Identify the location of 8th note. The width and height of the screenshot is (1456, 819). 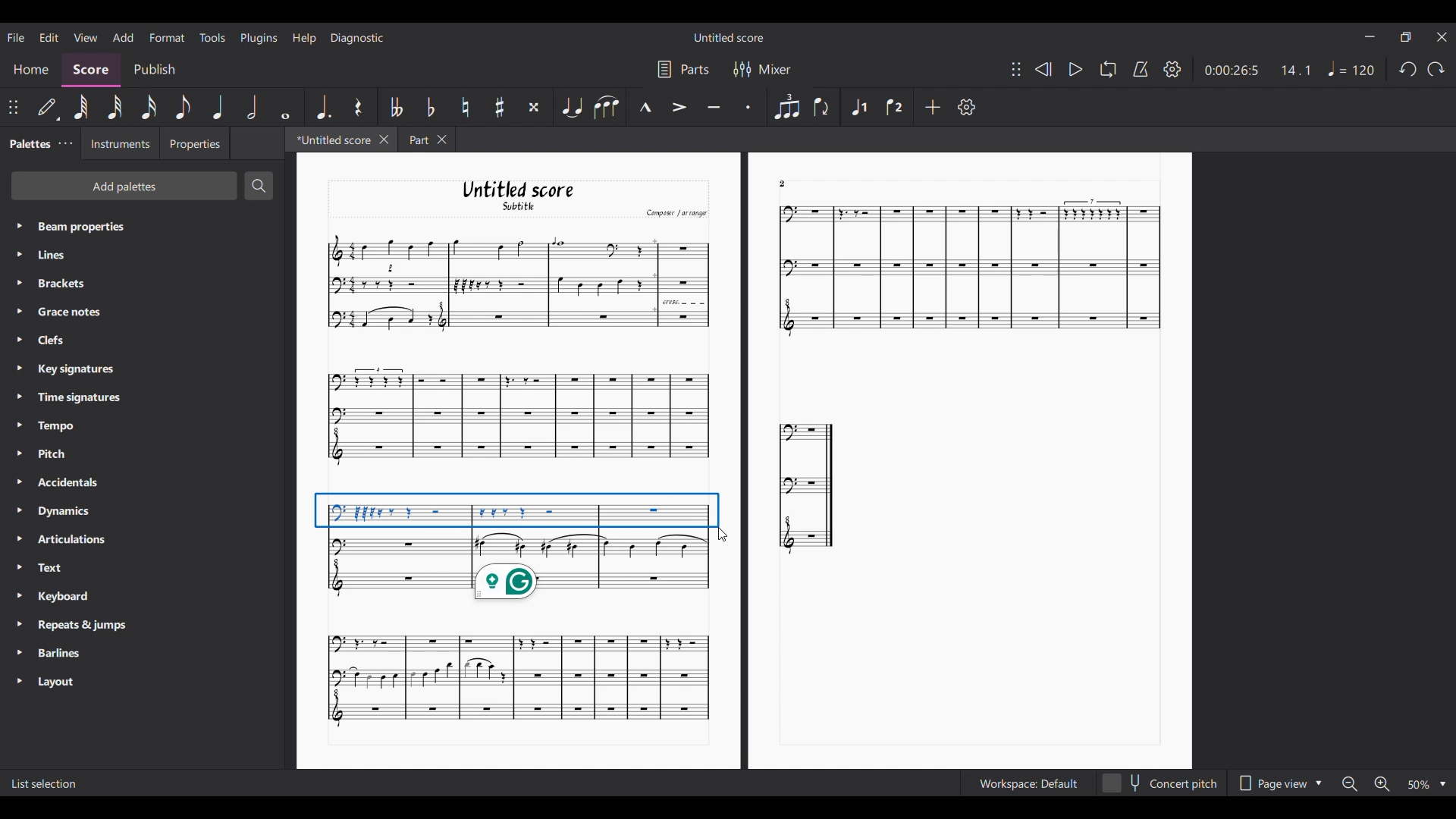
(183, 107).